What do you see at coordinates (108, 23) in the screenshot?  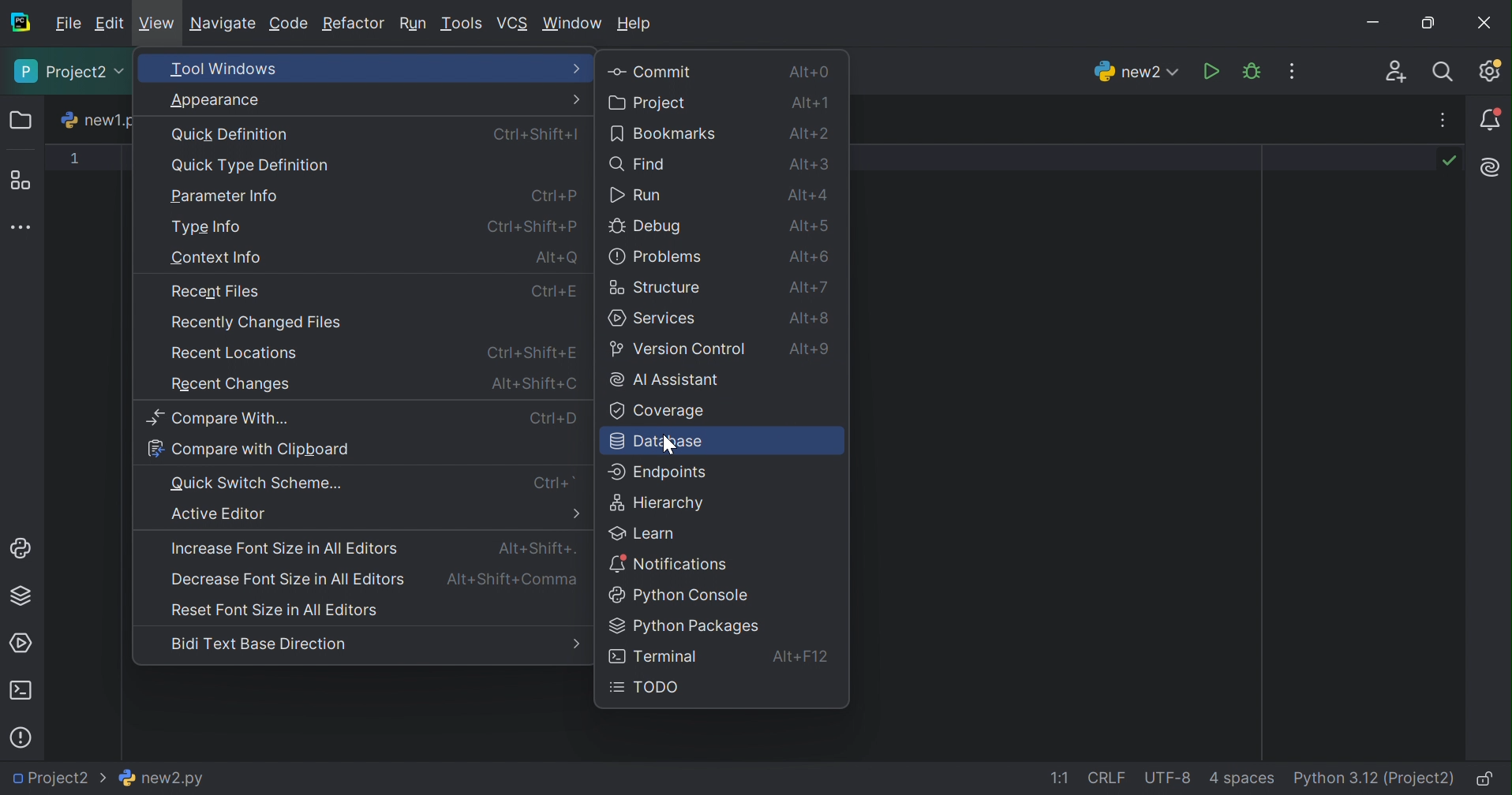 I see `Edit` at bounding box center [108, 23].